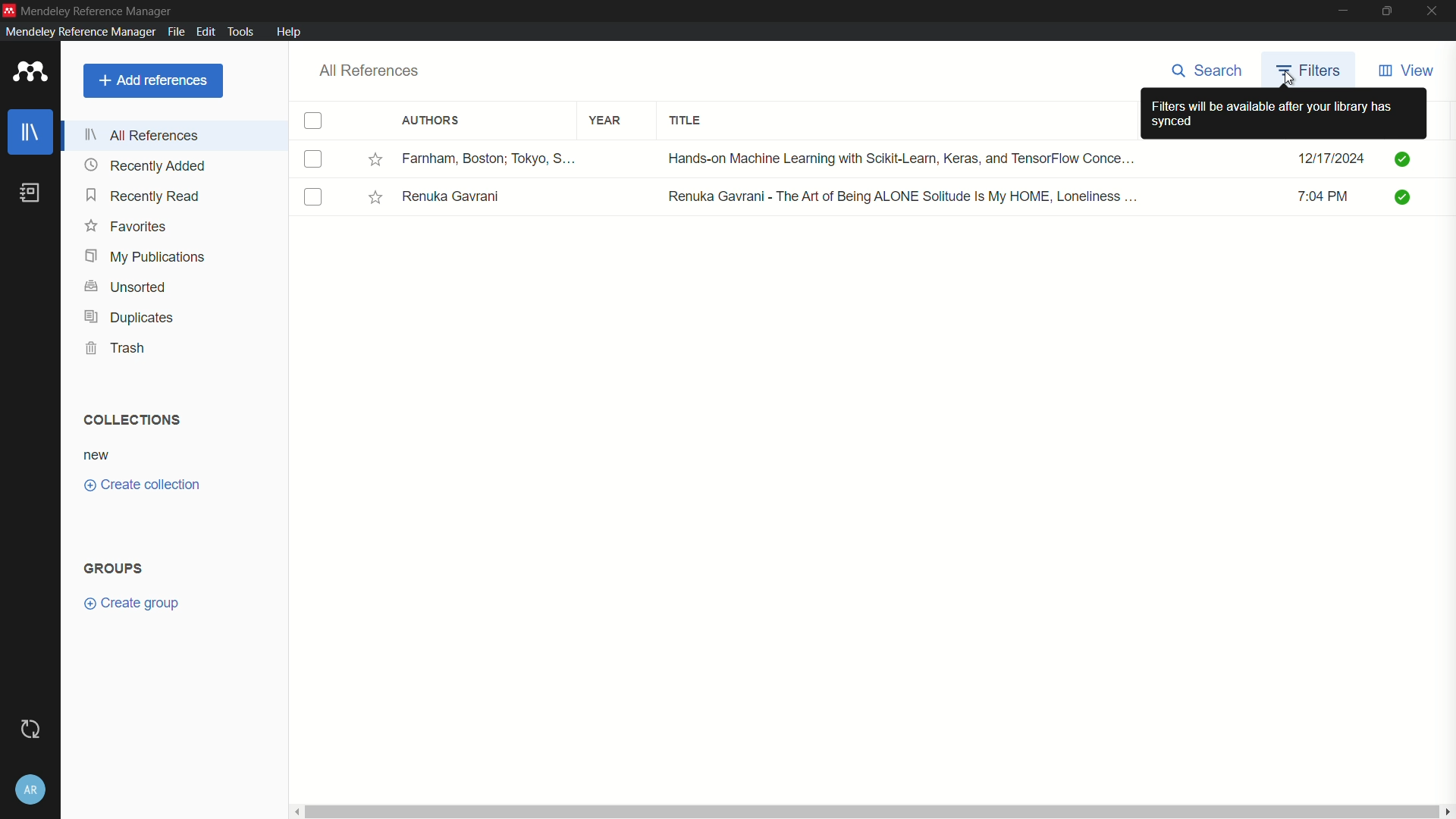  Describe the element at coordinates (1341, 11) in the screenshot. I see `minimize` at that location.